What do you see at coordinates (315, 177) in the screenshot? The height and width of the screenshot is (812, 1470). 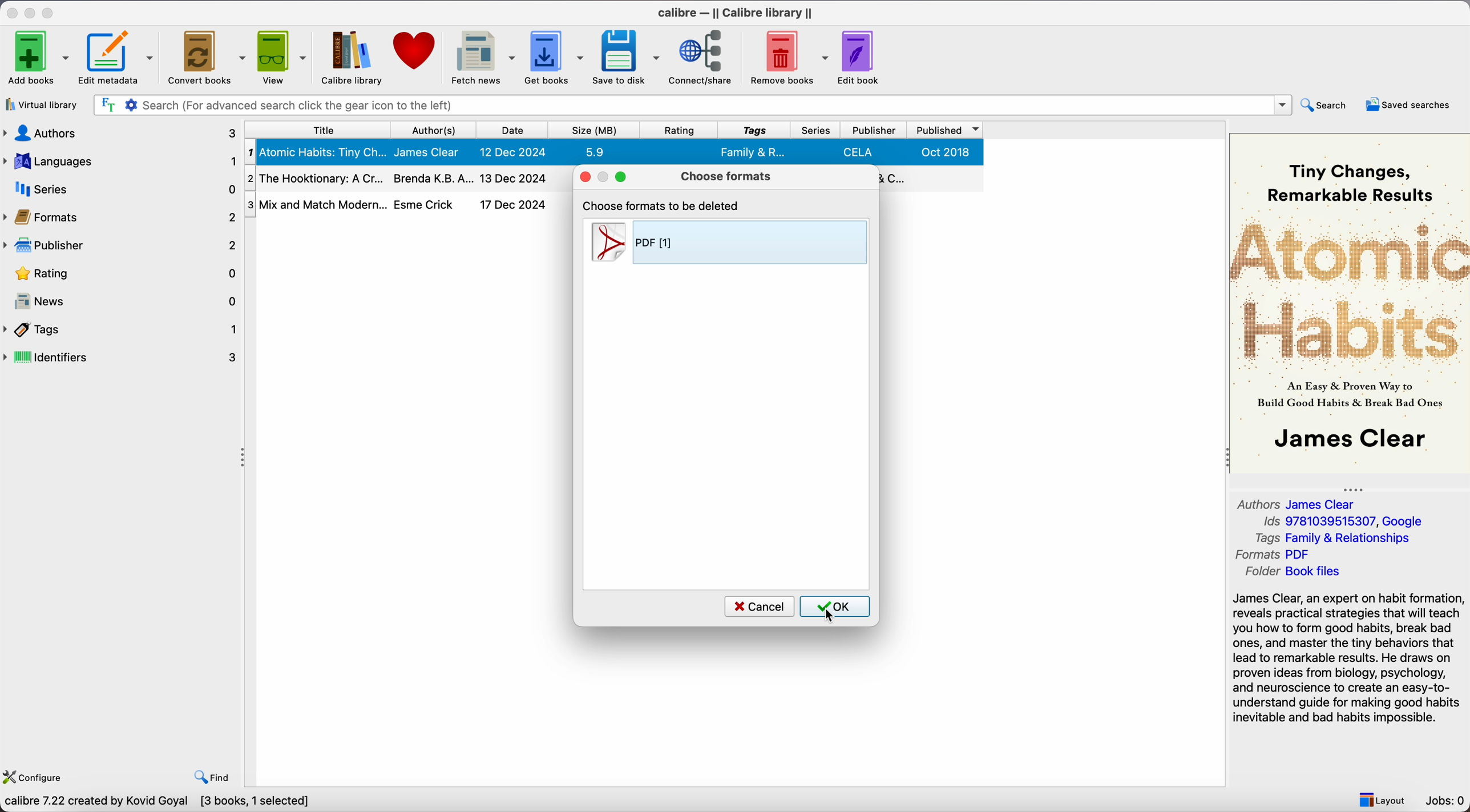 I see `The Hooktionary: A Cr...` at bounding box center [315, 177].